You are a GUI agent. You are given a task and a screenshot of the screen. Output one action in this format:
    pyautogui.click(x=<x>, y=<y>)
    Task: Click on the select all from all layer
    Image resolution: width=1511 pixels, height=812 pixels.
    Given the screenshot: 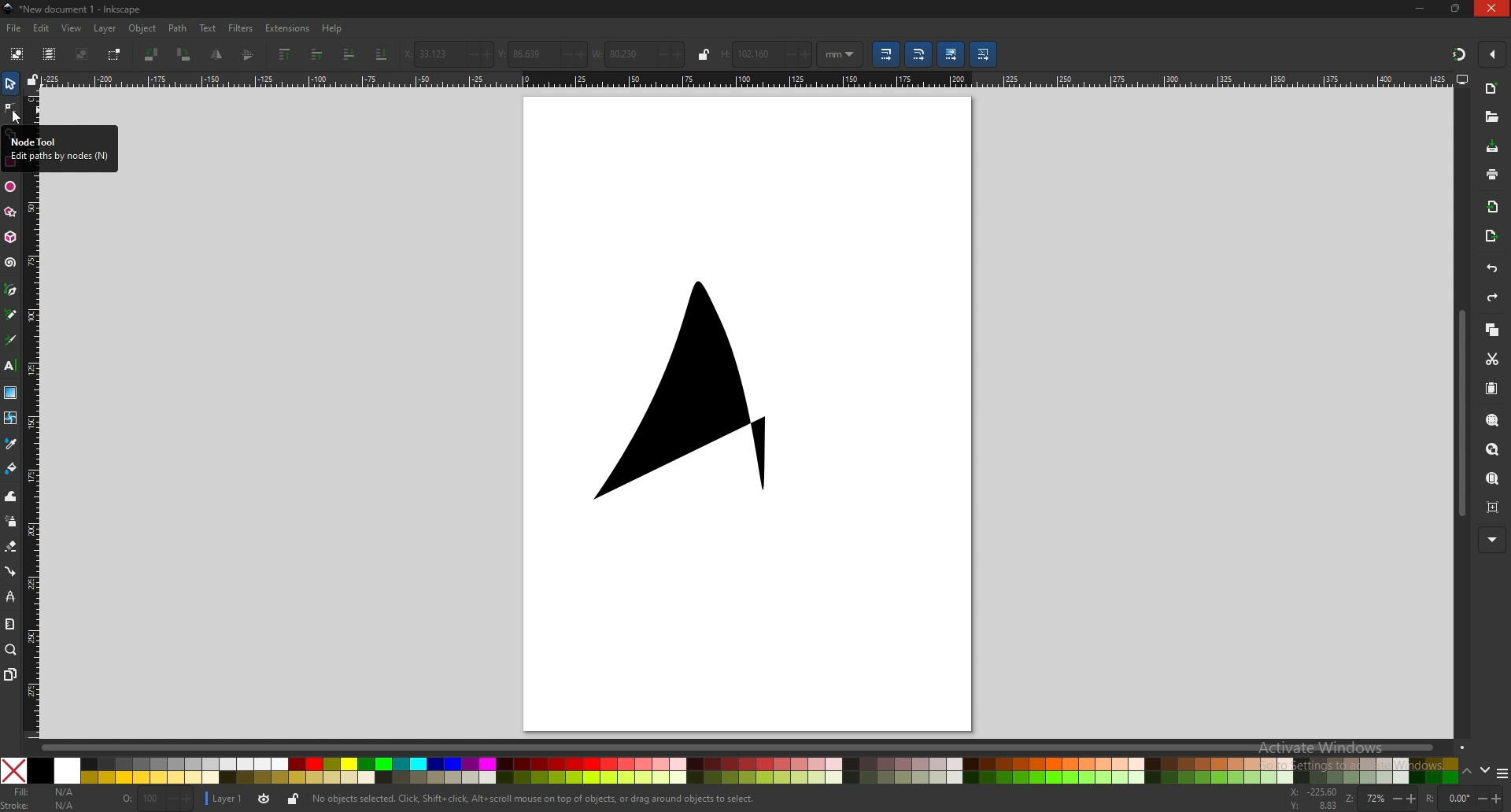 What is the action you would take?
    pyautogui.click(x=50, y=54)
    